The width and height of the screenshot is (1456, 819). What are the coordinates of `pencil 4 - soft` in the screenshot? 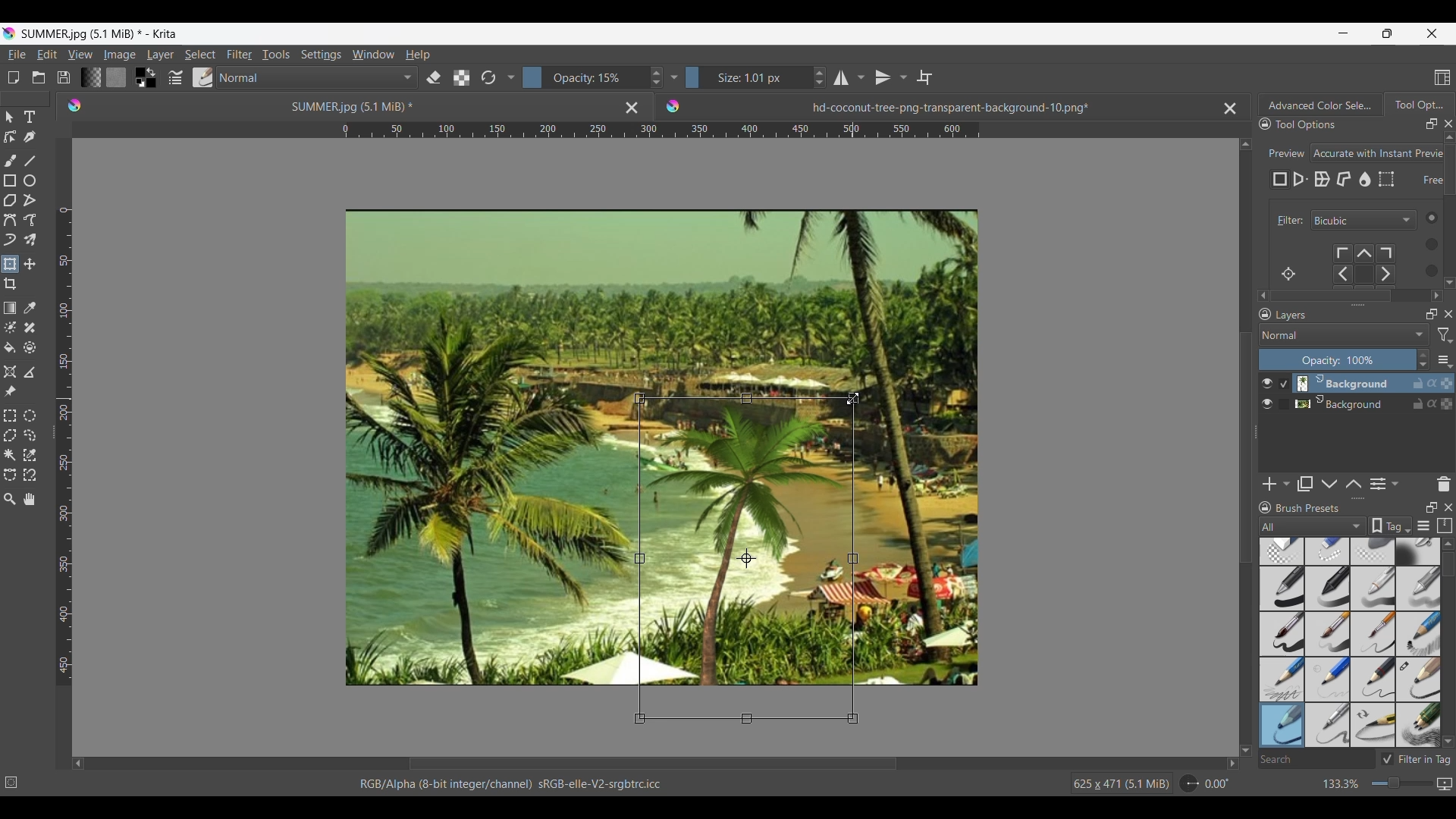 It's located at (1281, 724).